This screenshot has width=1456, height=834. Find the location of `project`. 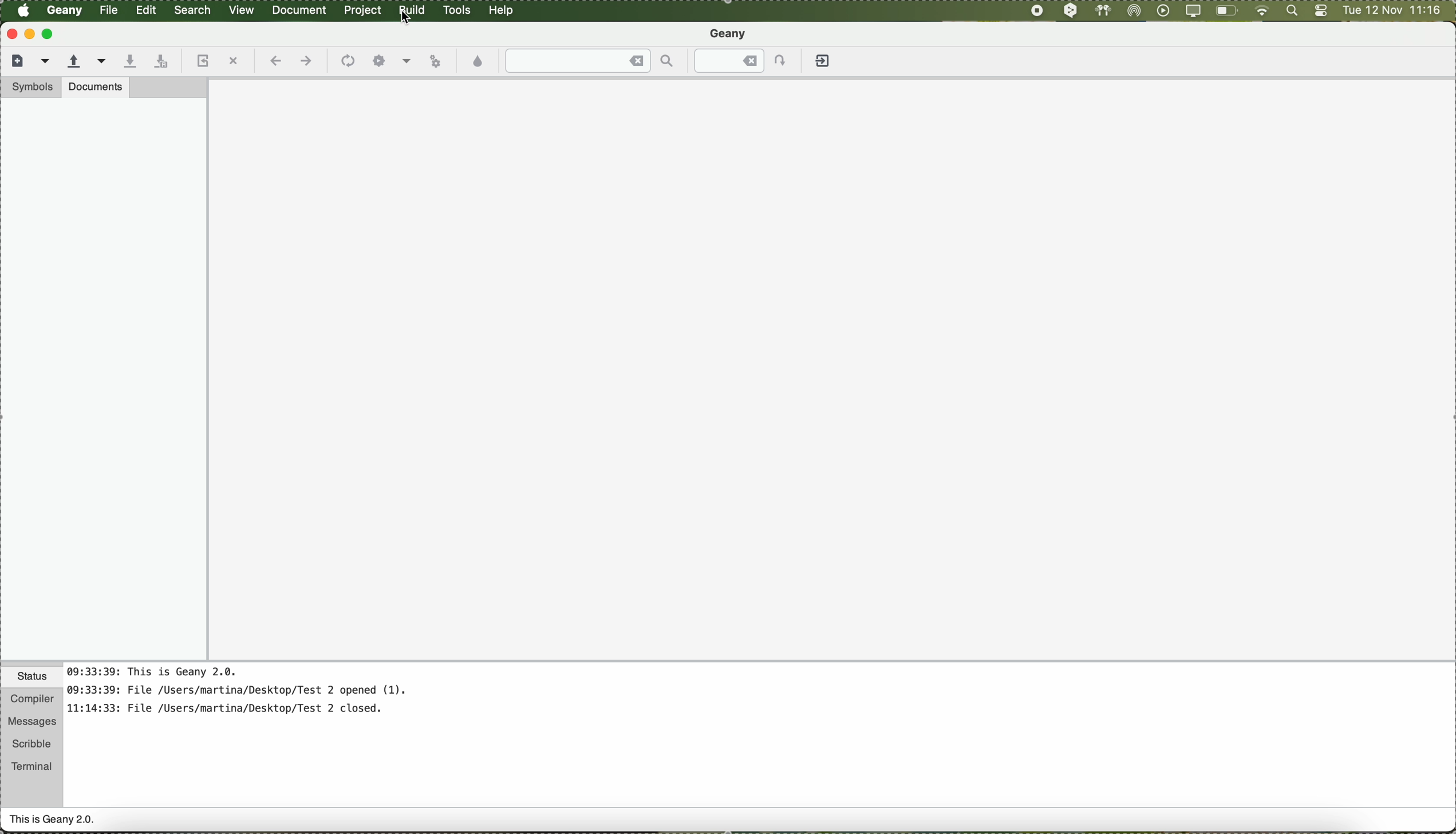

project is located at coordinates (362, 10).